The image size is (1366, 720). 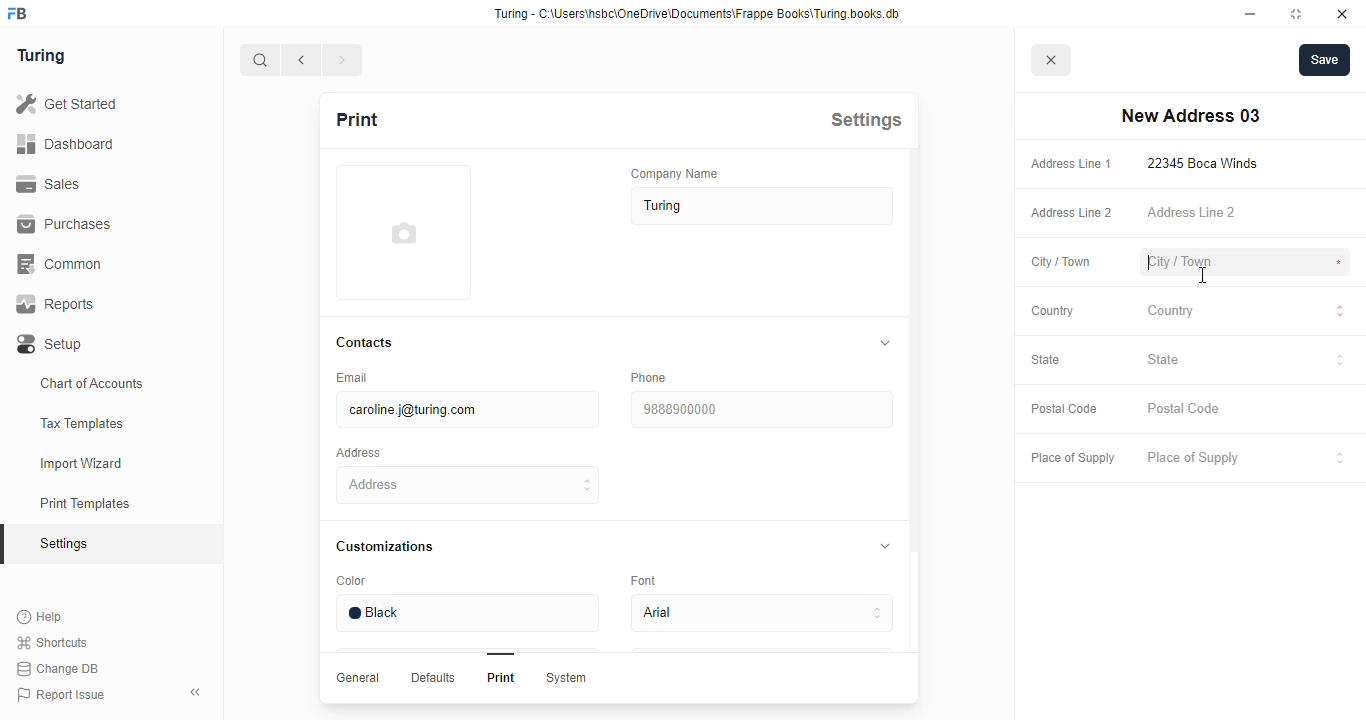 I want to click on caroline.j@turing.com, so click(x=466, y=410).